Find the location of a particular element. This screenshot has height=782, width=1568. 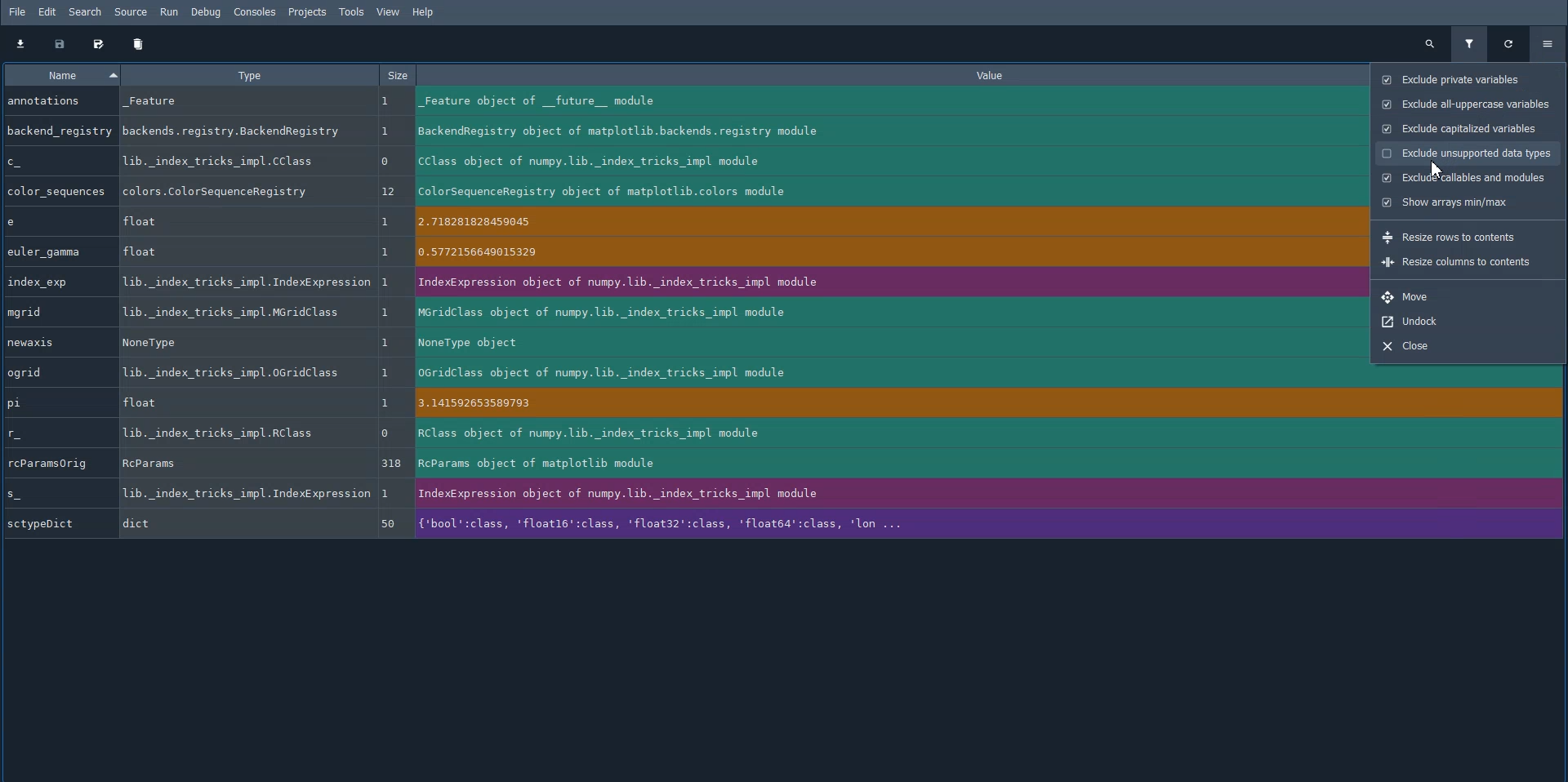

Name is located at coordinates (62, 74).